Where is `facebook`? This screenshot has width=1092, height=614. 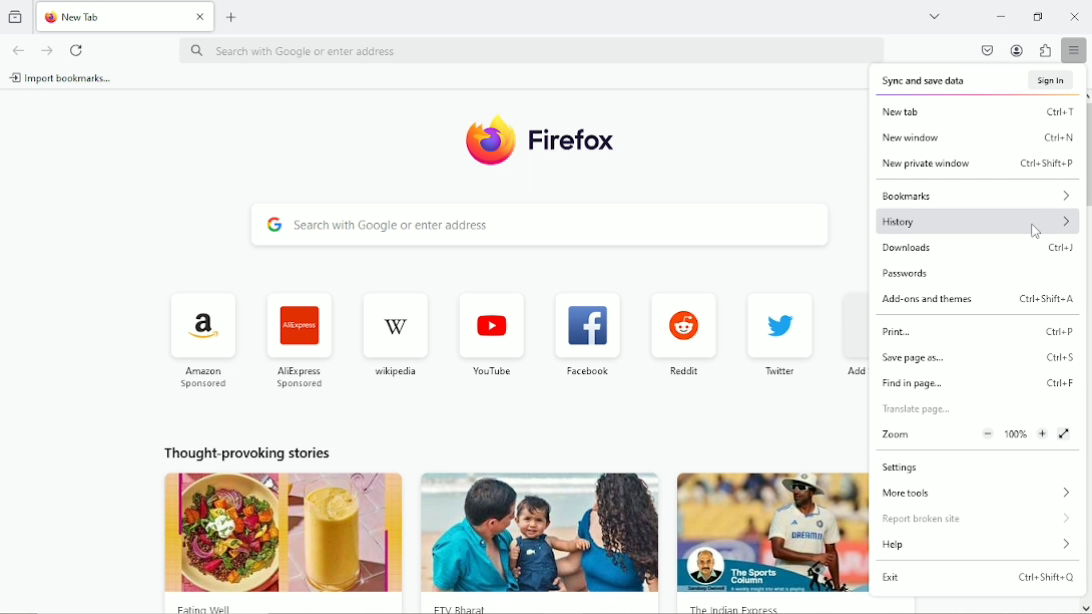
facebook is located at coordinates (586, 371).